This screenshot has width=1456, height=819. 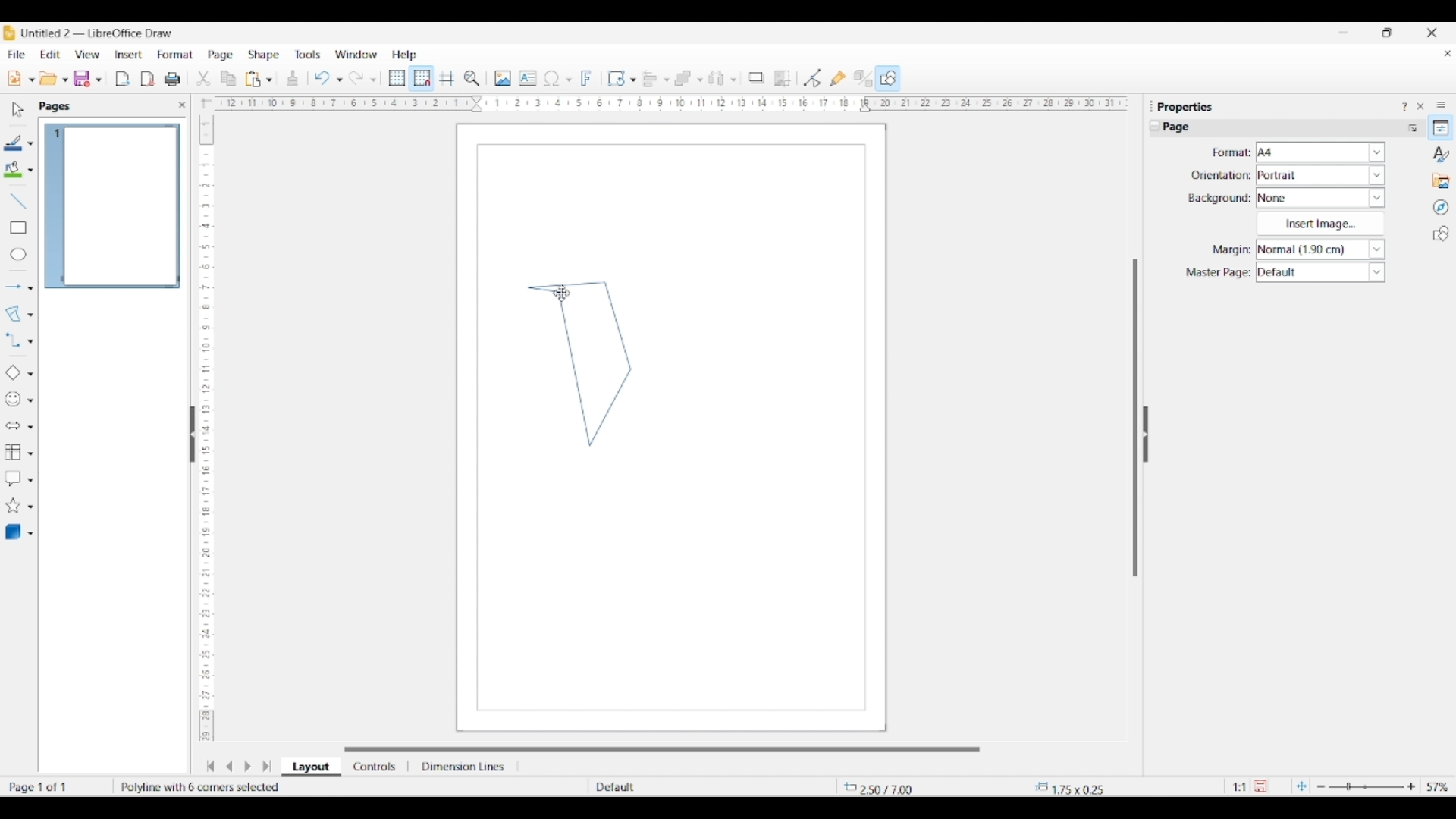 I want to click on Indicates format settings, so click(x=1230, y=153).